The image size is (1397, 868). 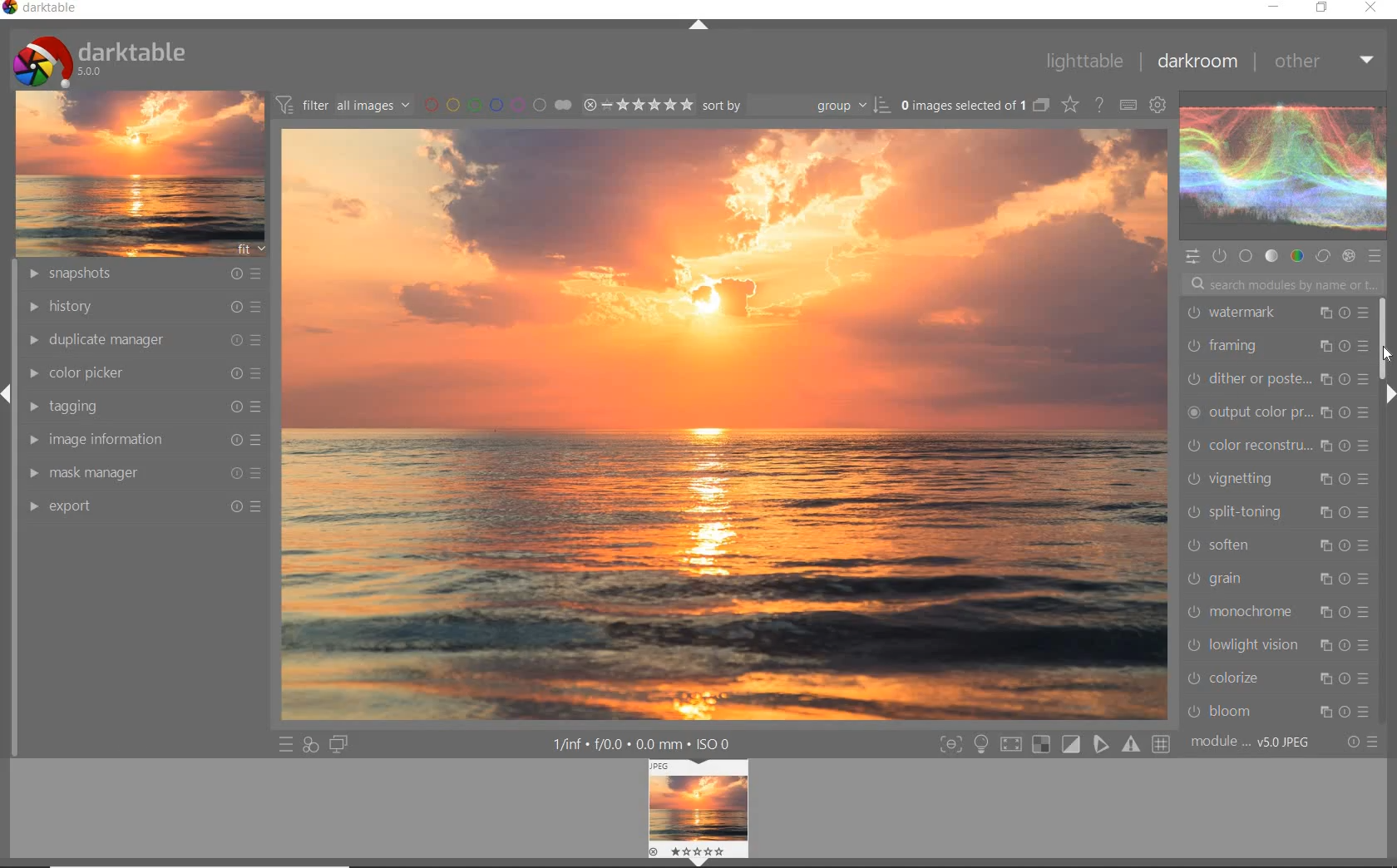 I want to click on MONOCHROME, so click(x=1277, y=611).